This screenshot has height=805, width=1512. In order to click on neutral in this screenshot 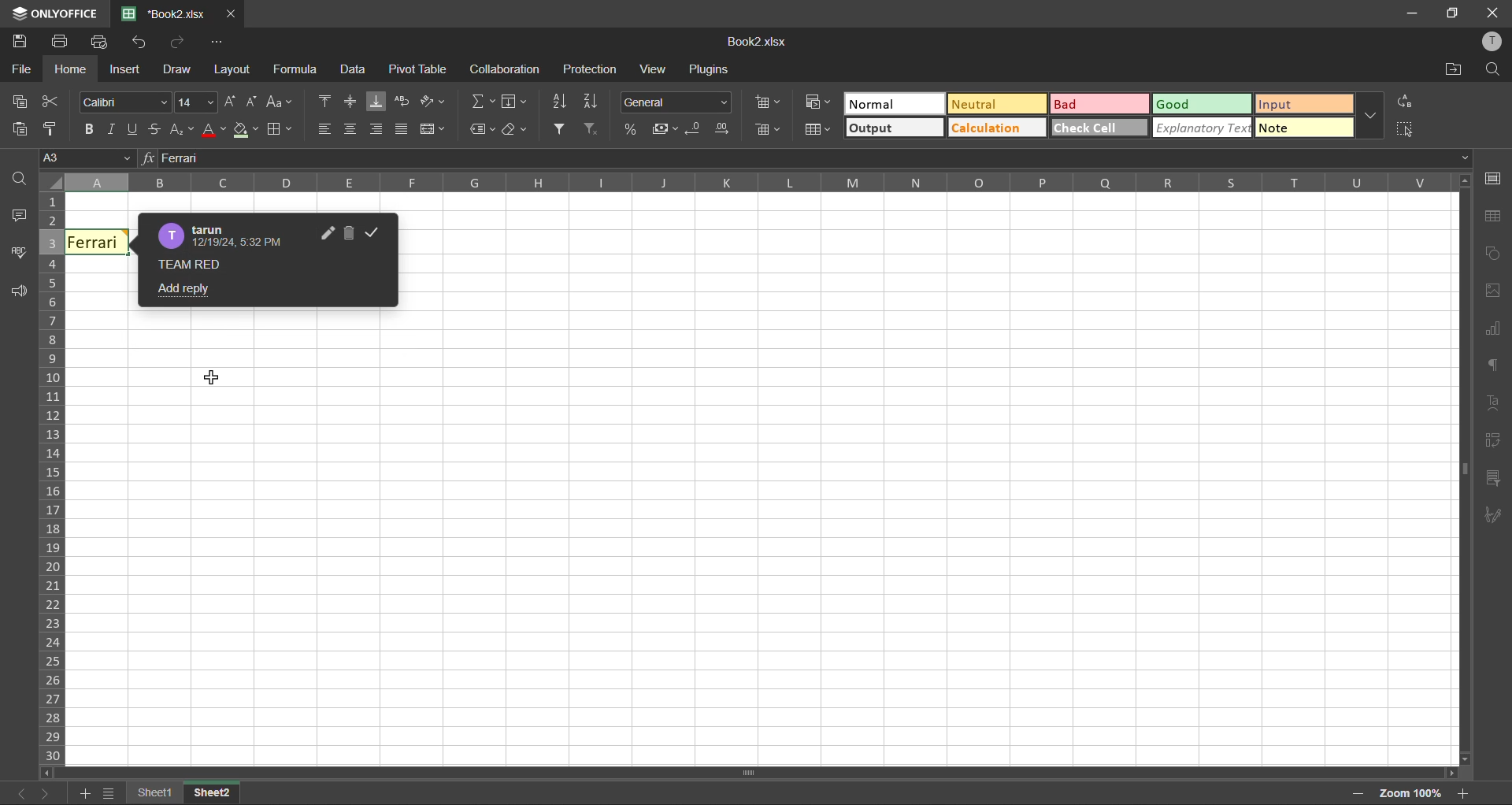, I will do `click(992, 103)`.